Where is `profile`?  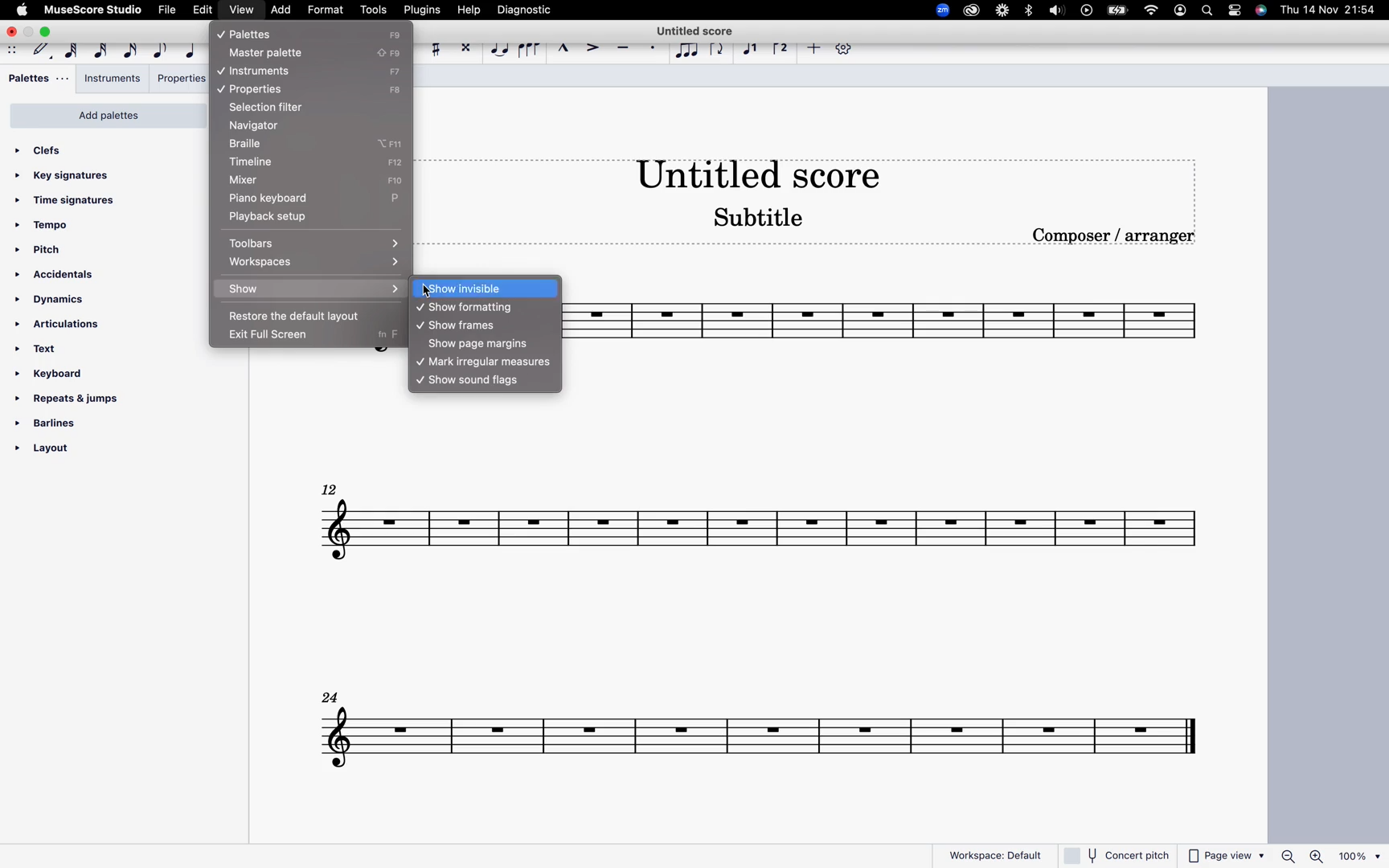 profile is located at coordinates (1181, 10).